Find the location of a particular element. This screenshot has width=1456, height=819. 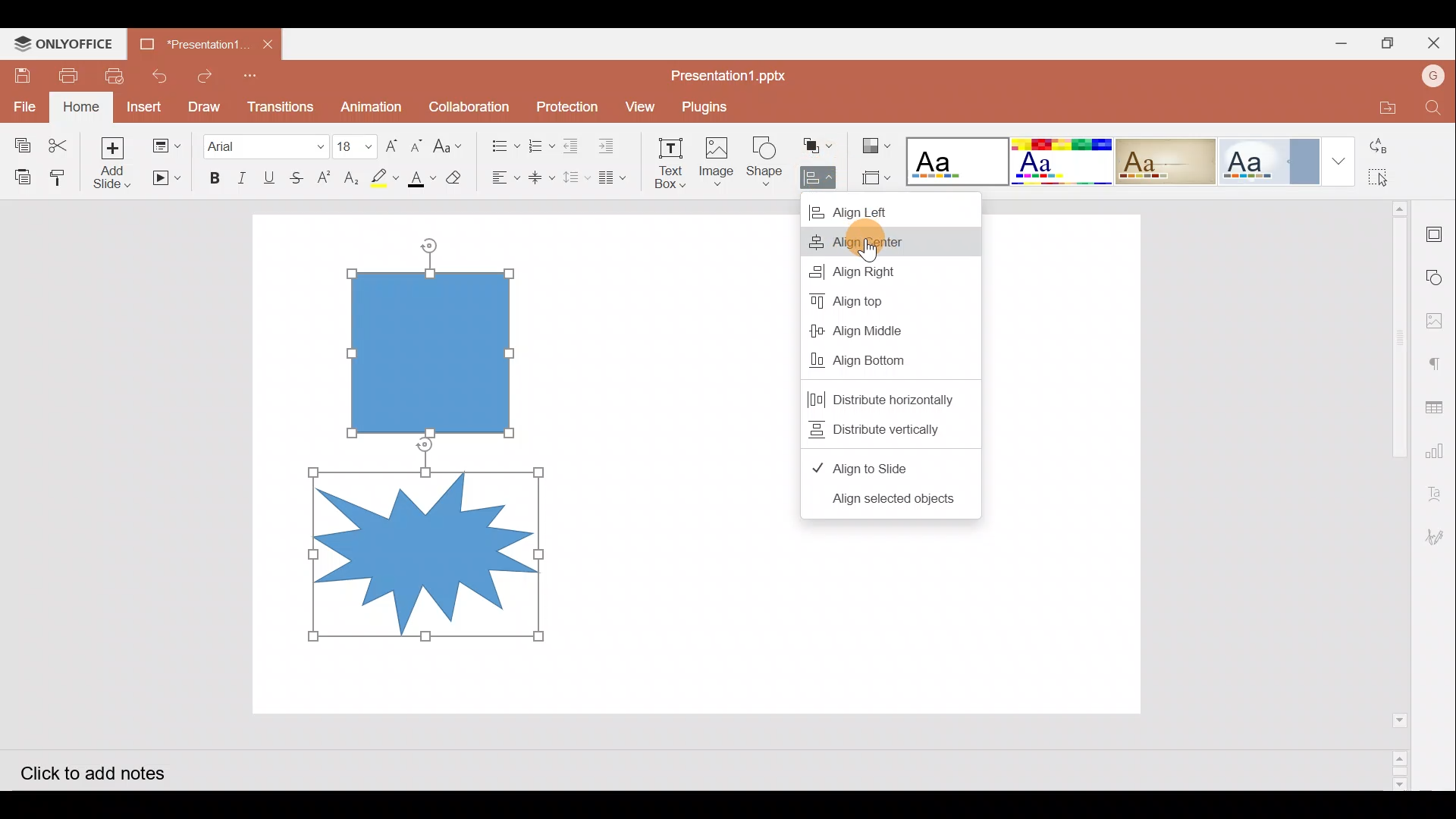

Align top is located at coordinates (874, 301).